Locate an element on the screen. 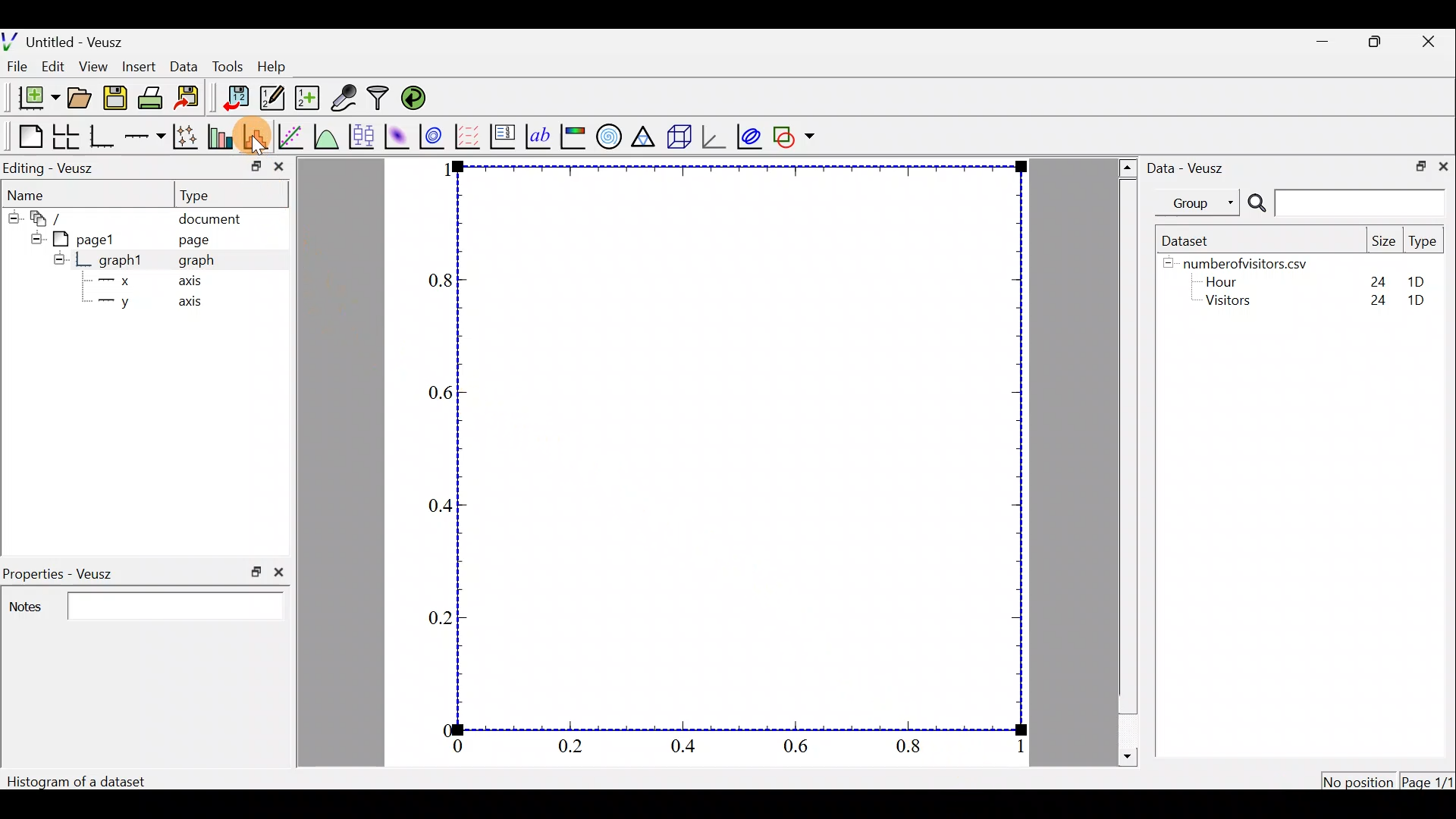 This screenshot has width=1456, height=819. plot a 2d dataset as an image is located at coordinates (399, 135).